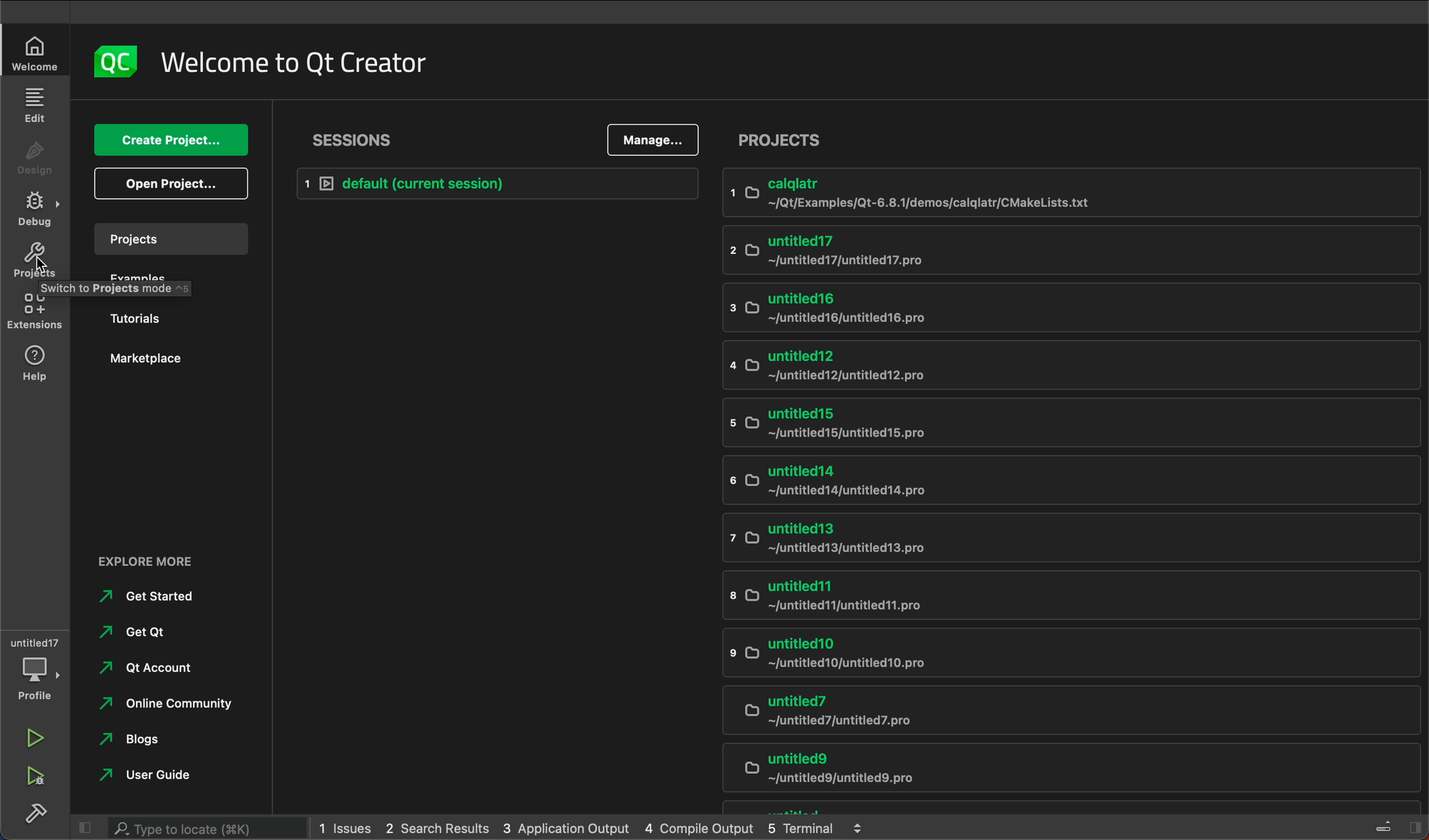 The height and width of the screenshot is (840, 1429). What do you see at coordinates (1068, 251) in the screenshot?
I see `untitled17` at bounding box center [1068, 251].